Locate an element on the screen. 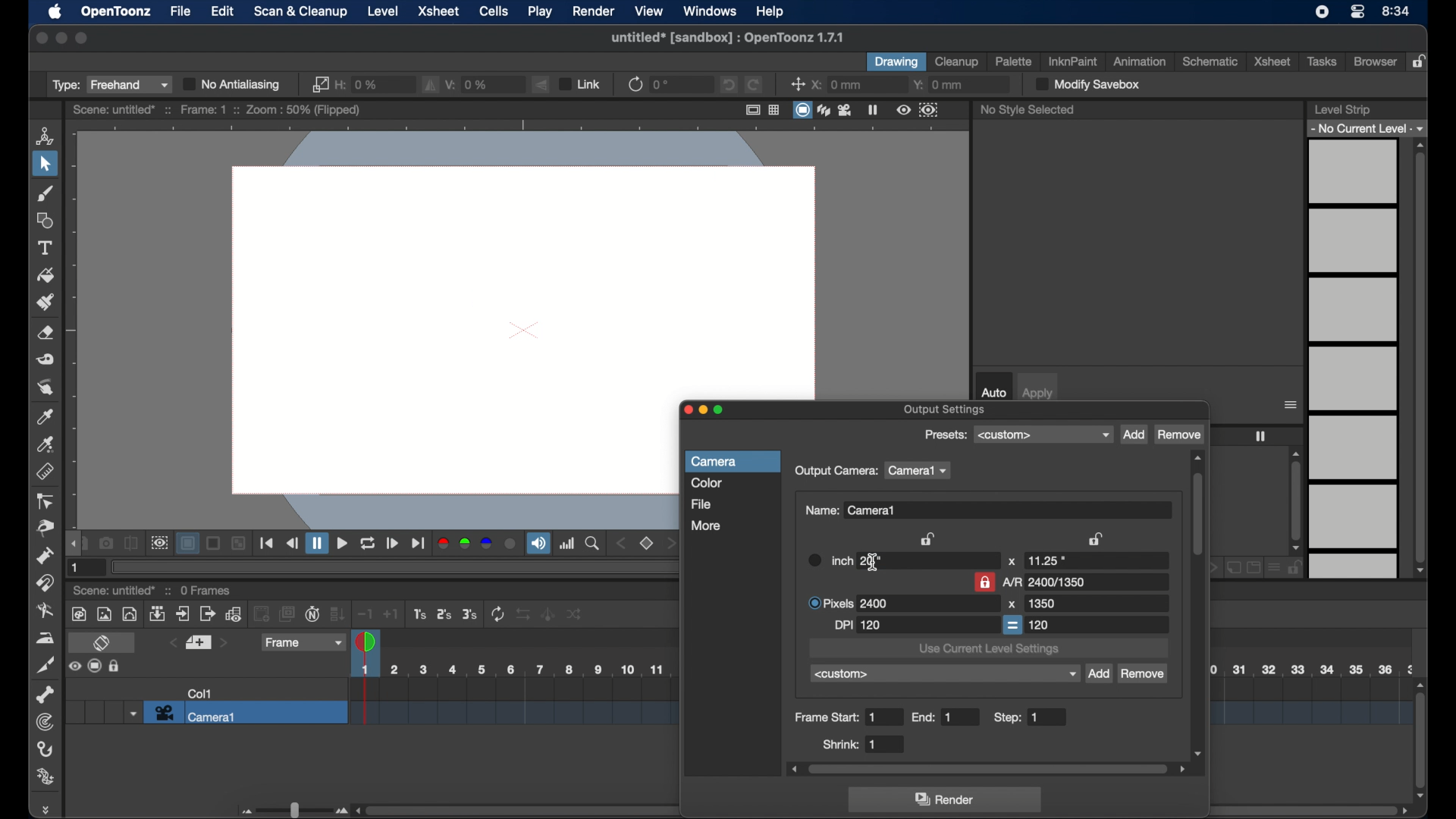   is located at coordinates (444, 611).